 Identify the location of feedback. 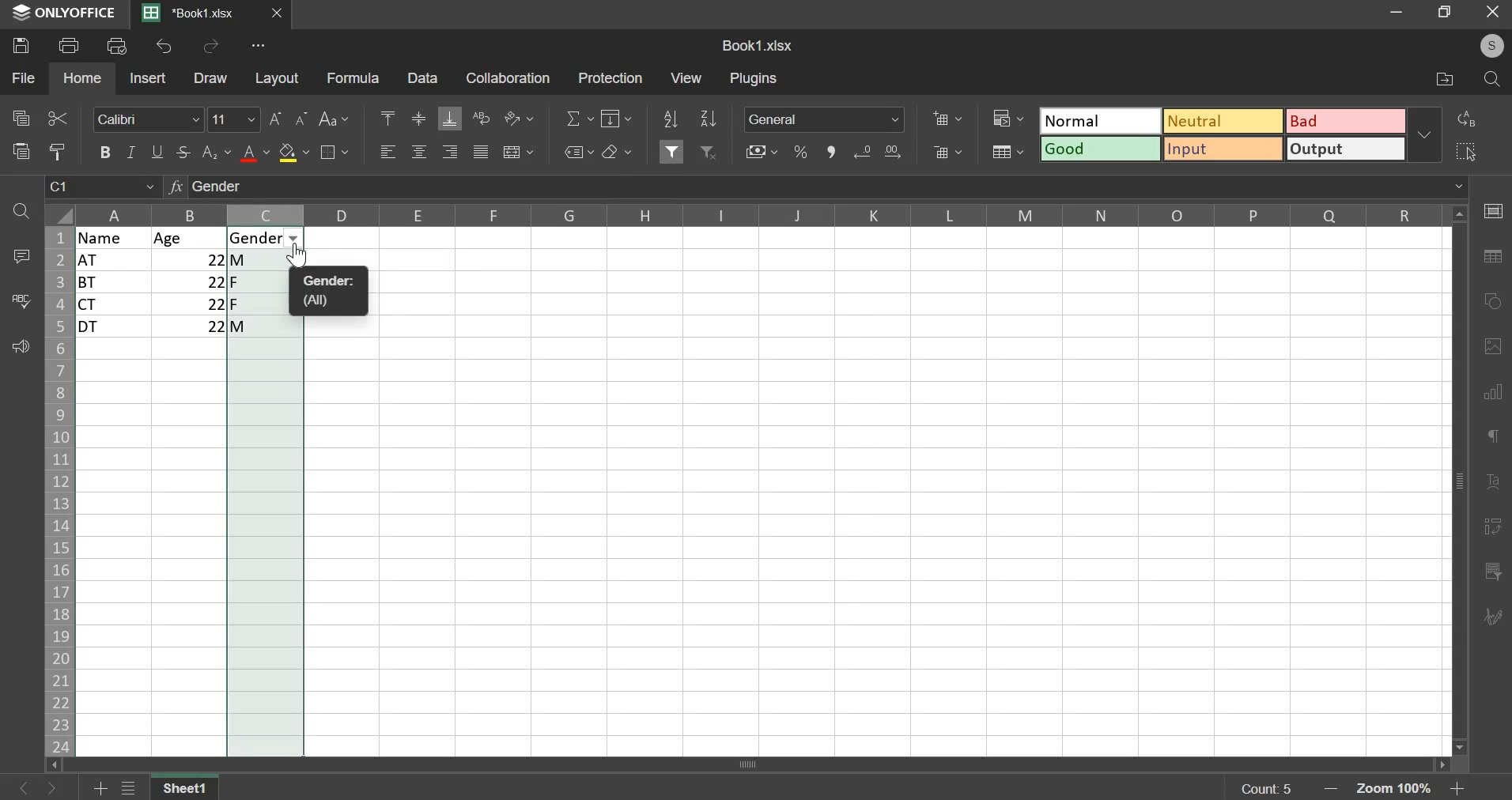
(18, 347).